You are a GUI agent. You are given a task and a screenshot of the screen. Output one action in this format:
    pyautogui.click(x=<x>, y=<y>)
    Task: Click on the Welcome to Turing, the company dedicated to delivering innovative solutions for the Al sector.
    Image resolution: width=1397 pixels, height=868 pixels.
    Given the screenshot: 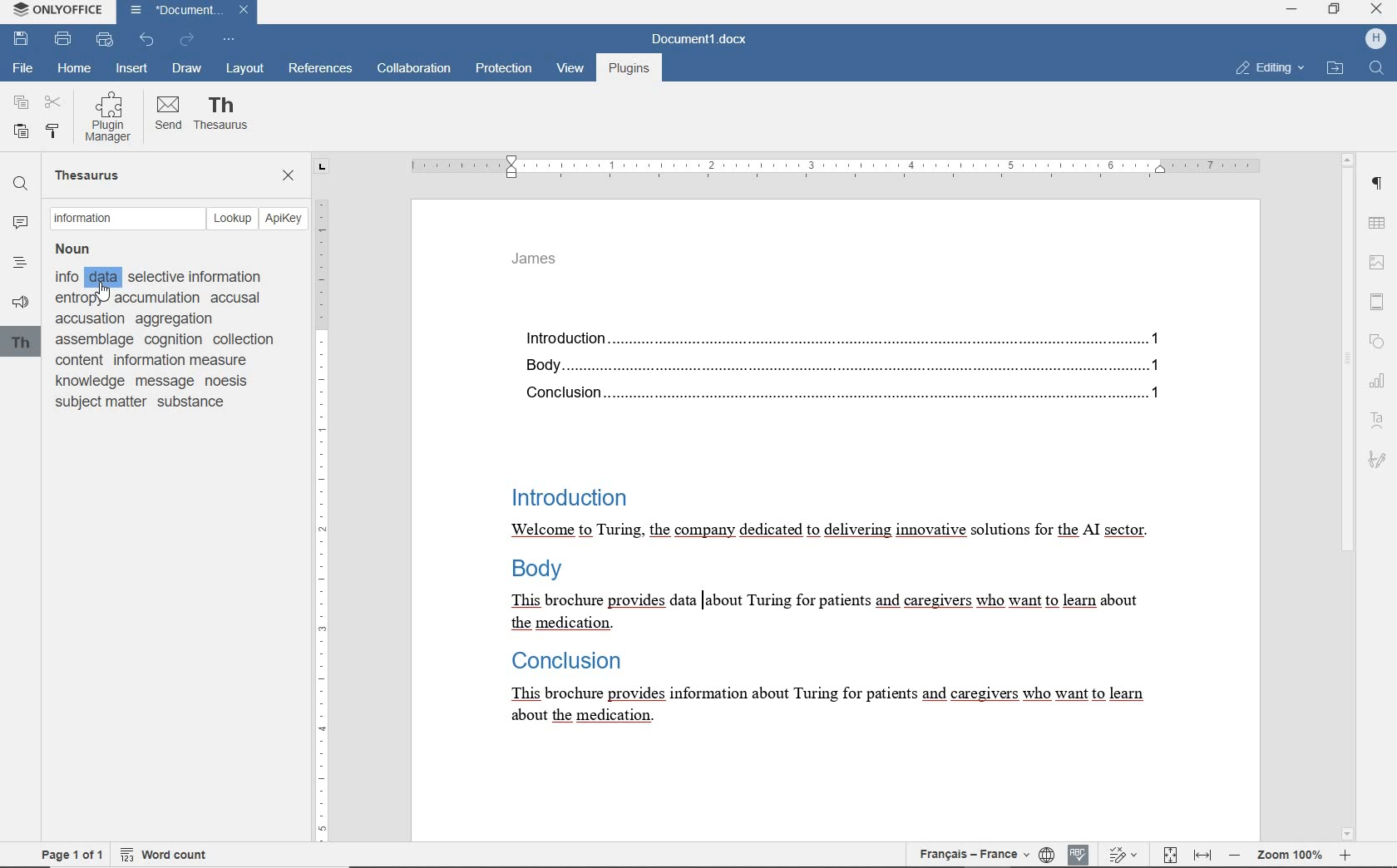 What is the action you would take?
    pyautogui.click(x=842, y=530)
    